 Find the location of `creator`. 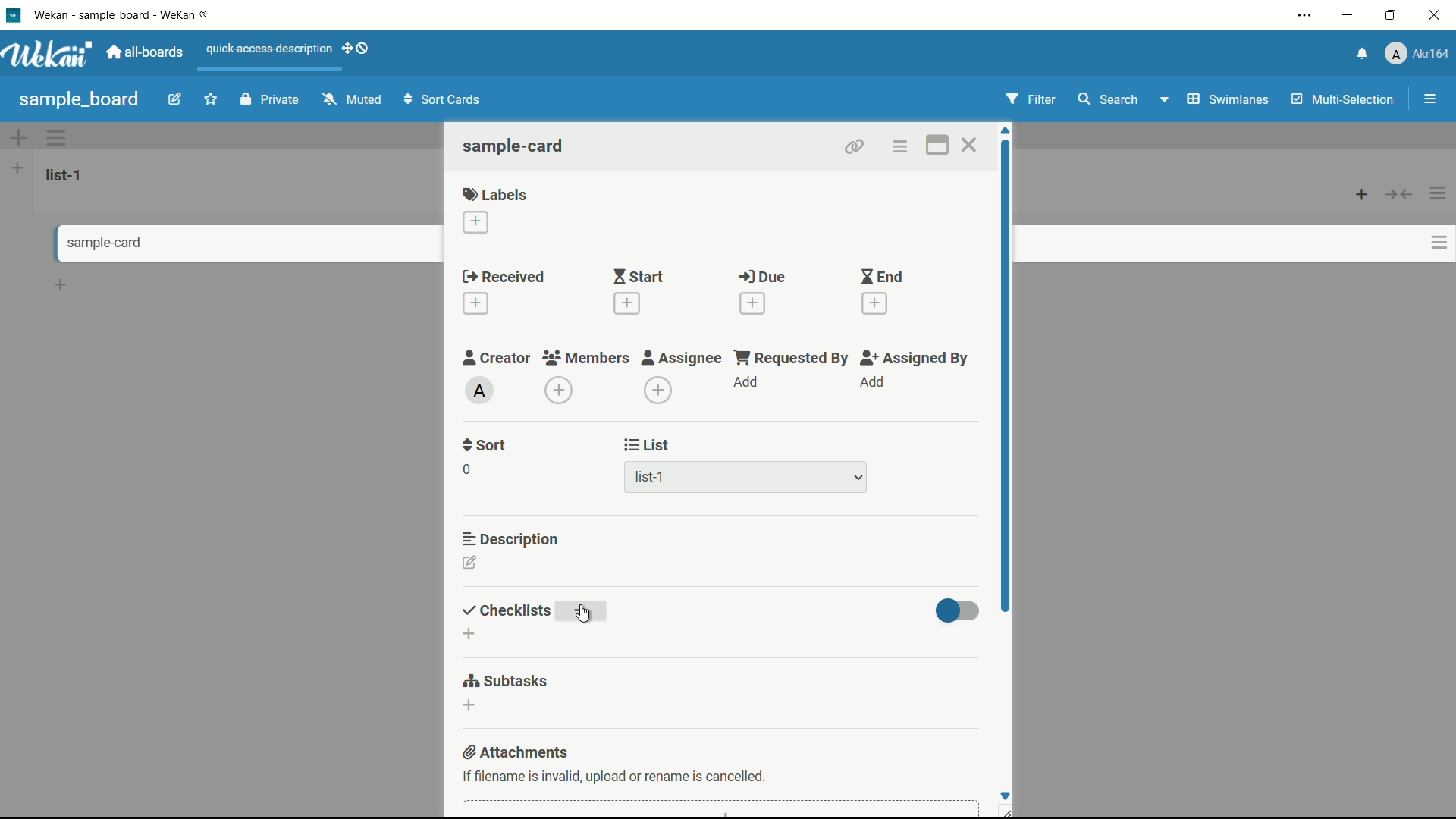

creator is located at coordinates (497, 357).